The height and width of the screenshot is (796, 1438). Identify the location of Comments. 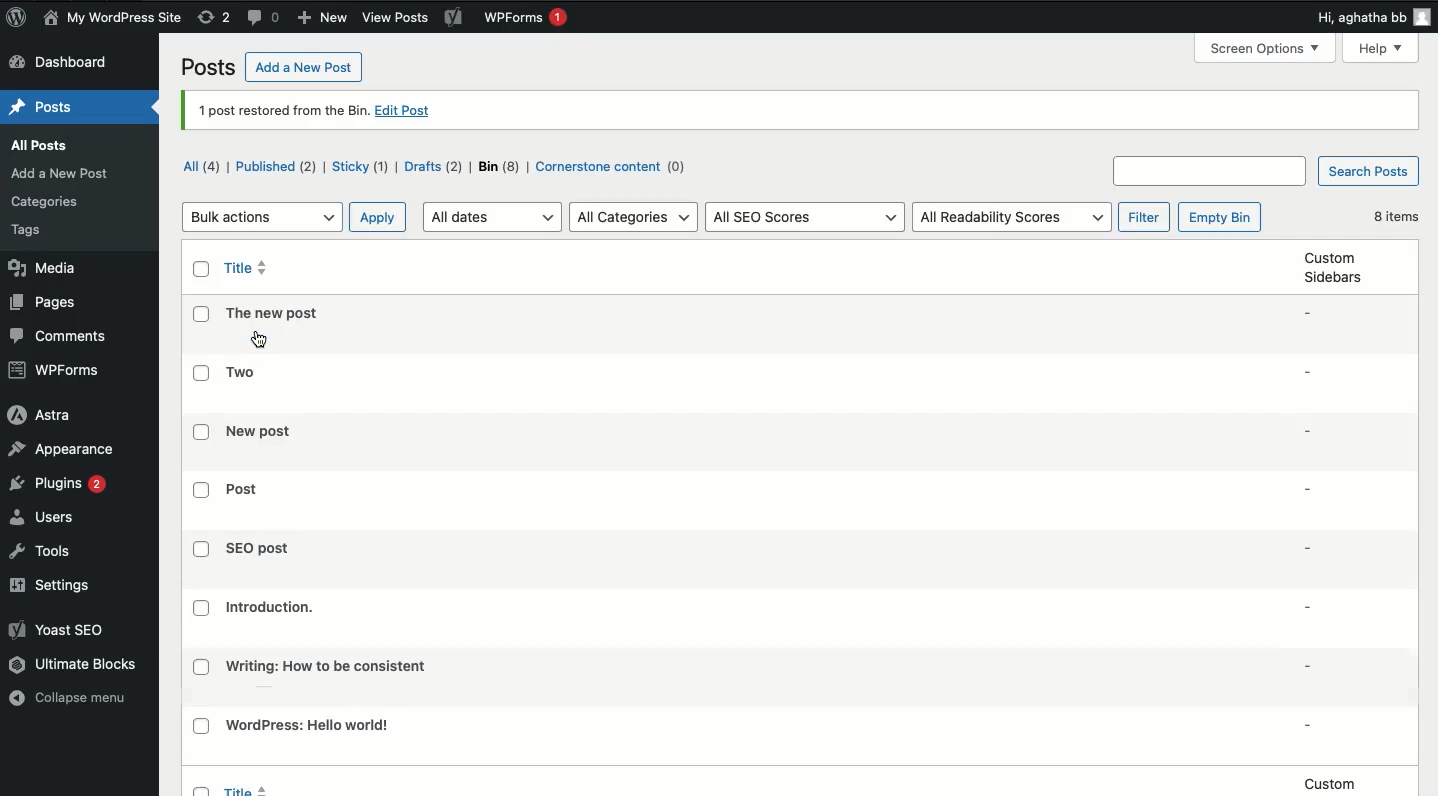
(264, 18).